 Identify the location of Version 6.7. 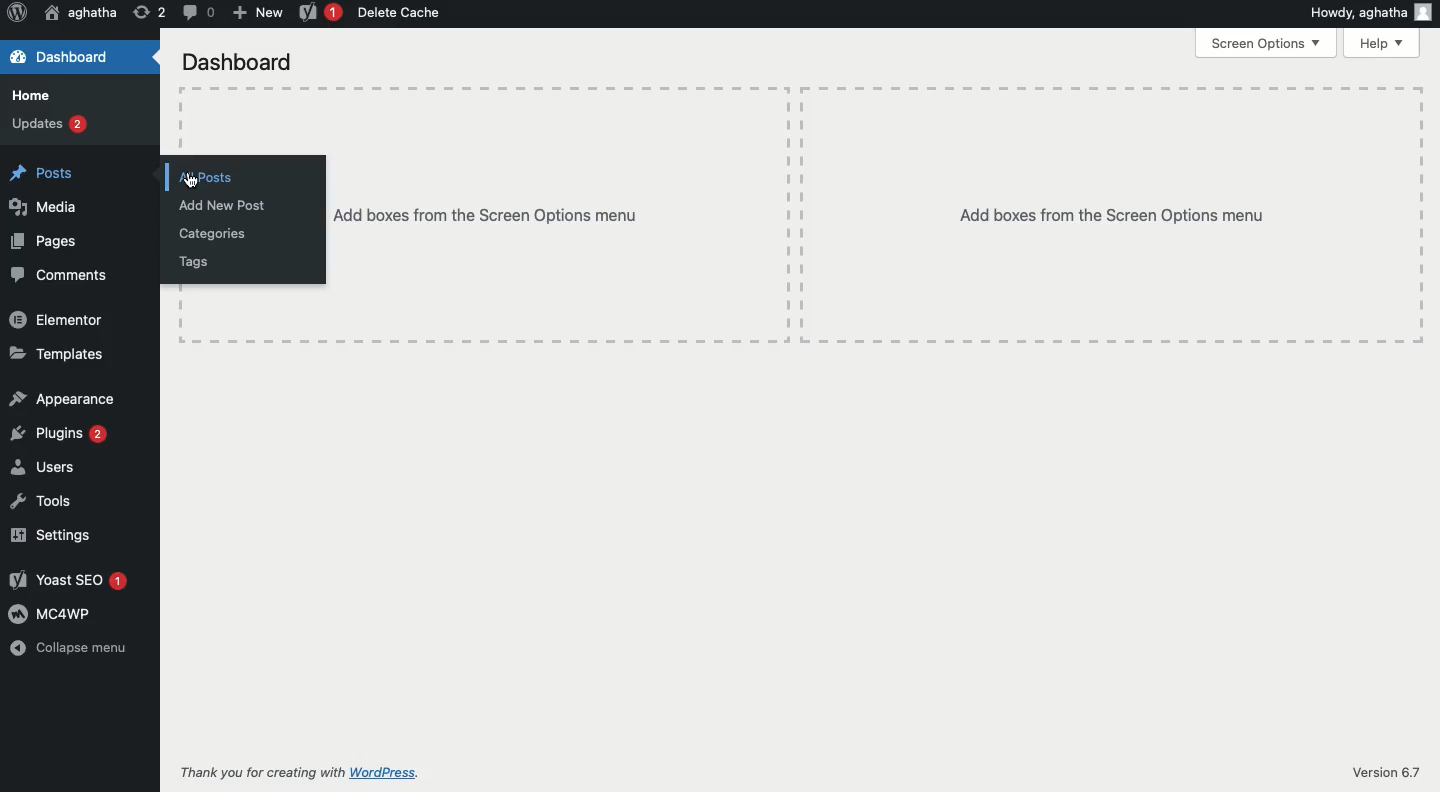
(1378, 773).